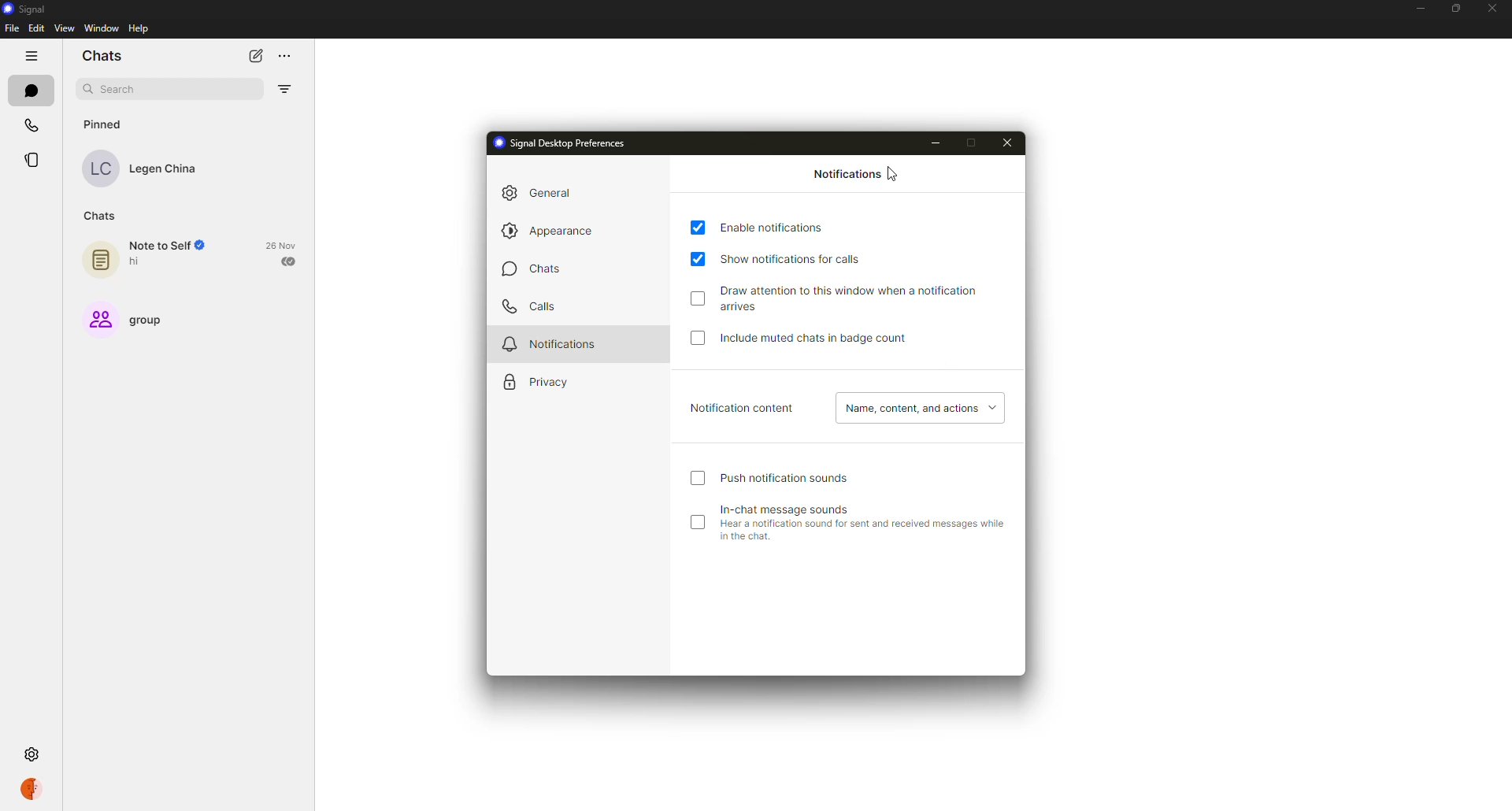 This screenshot has height=811, width=1512. Describe the element at coordinates (290, 261) in the screenshot. I see `sent` at that location.